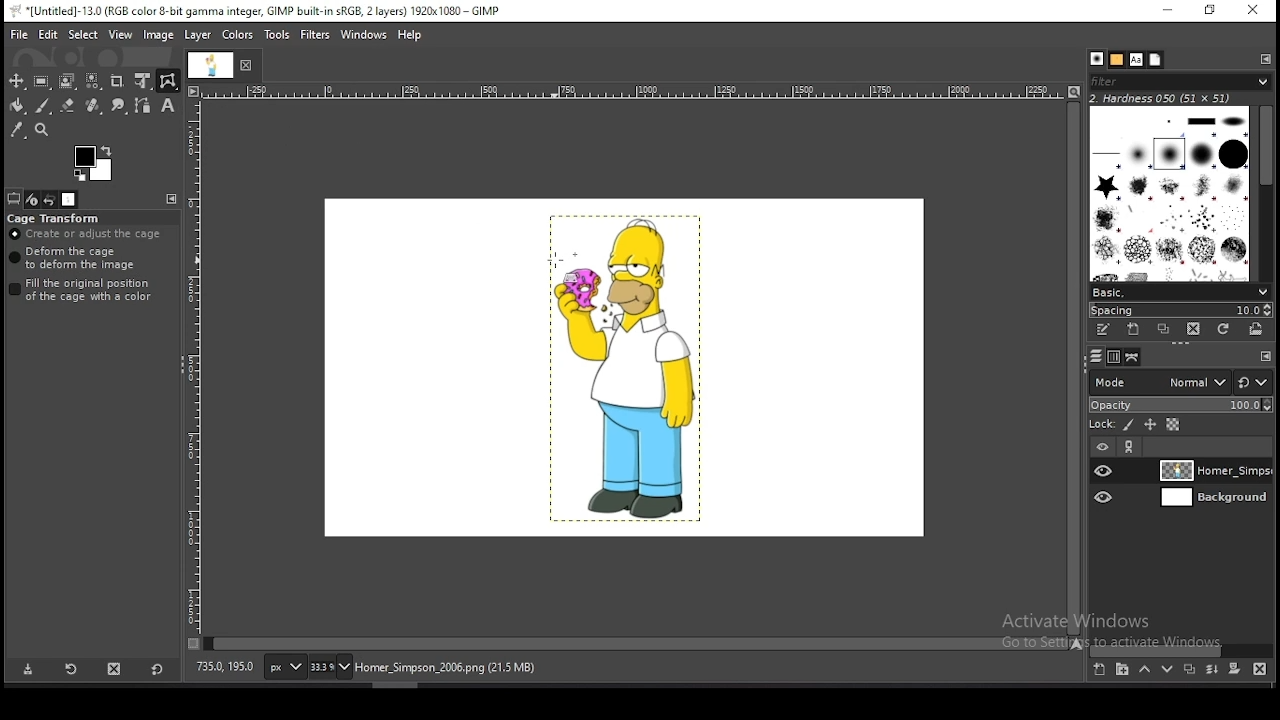 This screenshot has width=1280, height=720. What do you see at coordinates (1180, 404) in the screenshot?
I see `opacity` at bounding box center [1180, 404].